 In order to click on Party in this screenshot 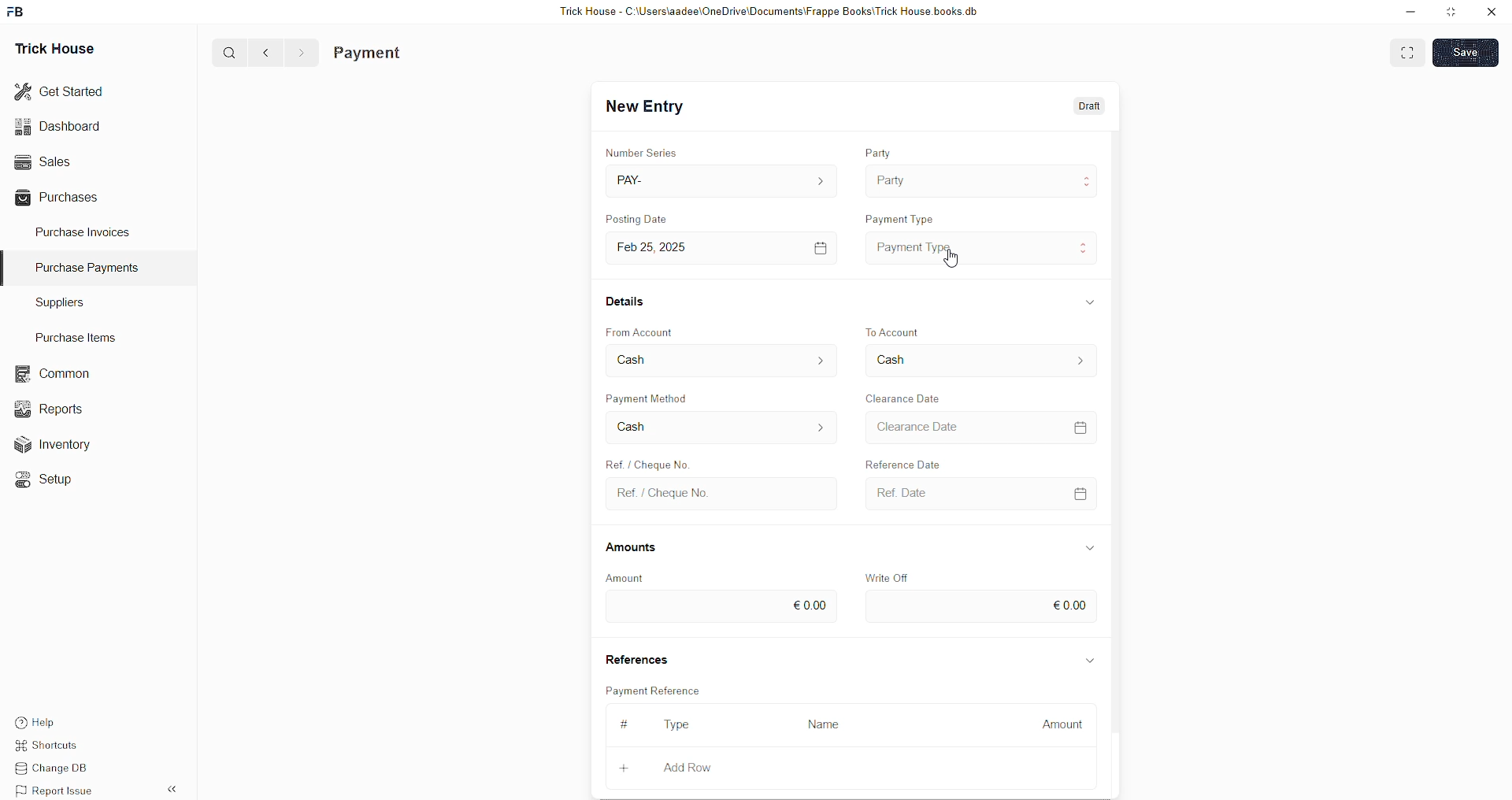, I will do `click(892, 179)`.